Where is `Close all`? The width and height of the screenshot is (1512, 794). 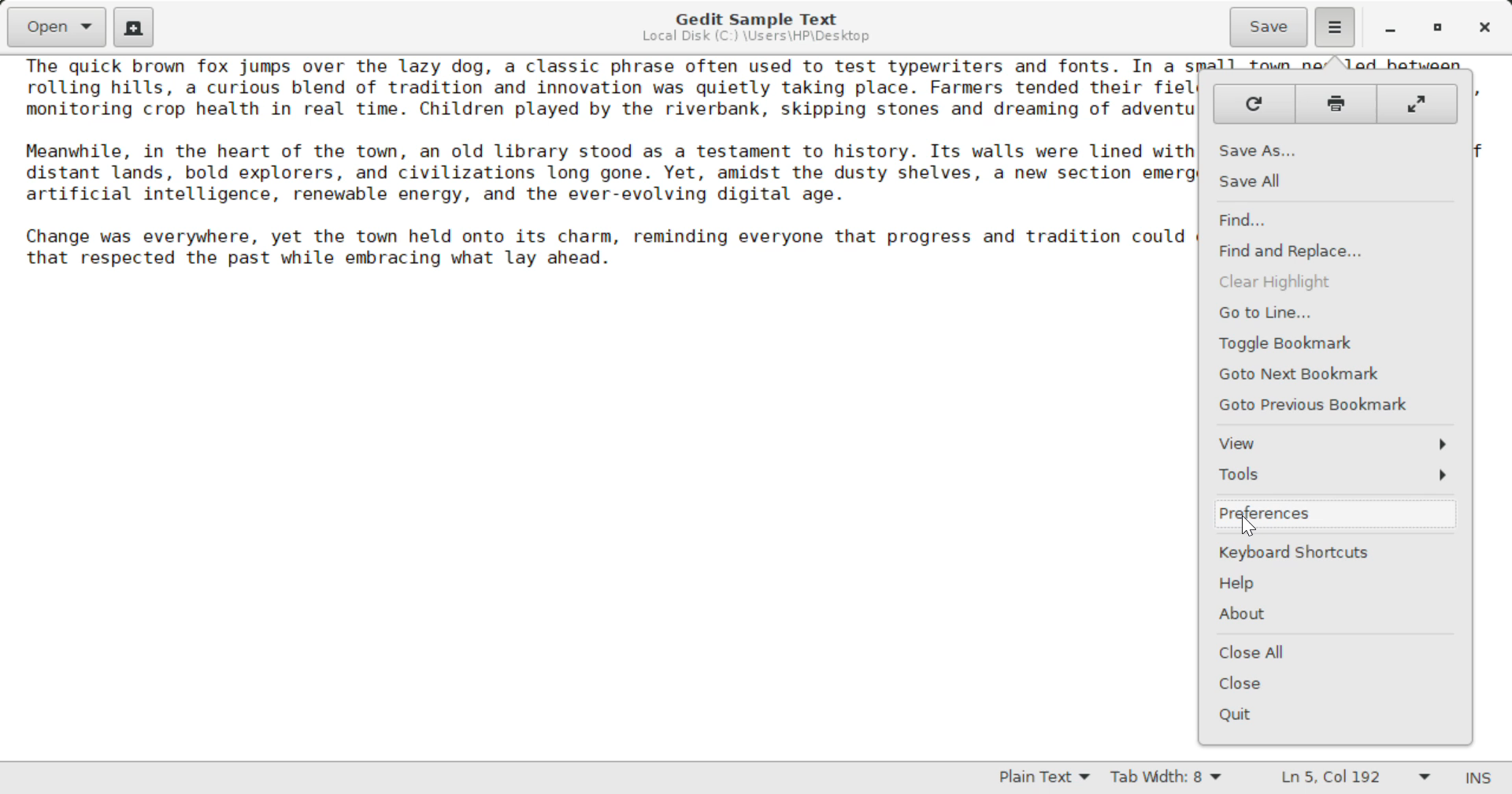
Close all is located at coordinates (1263, 651).